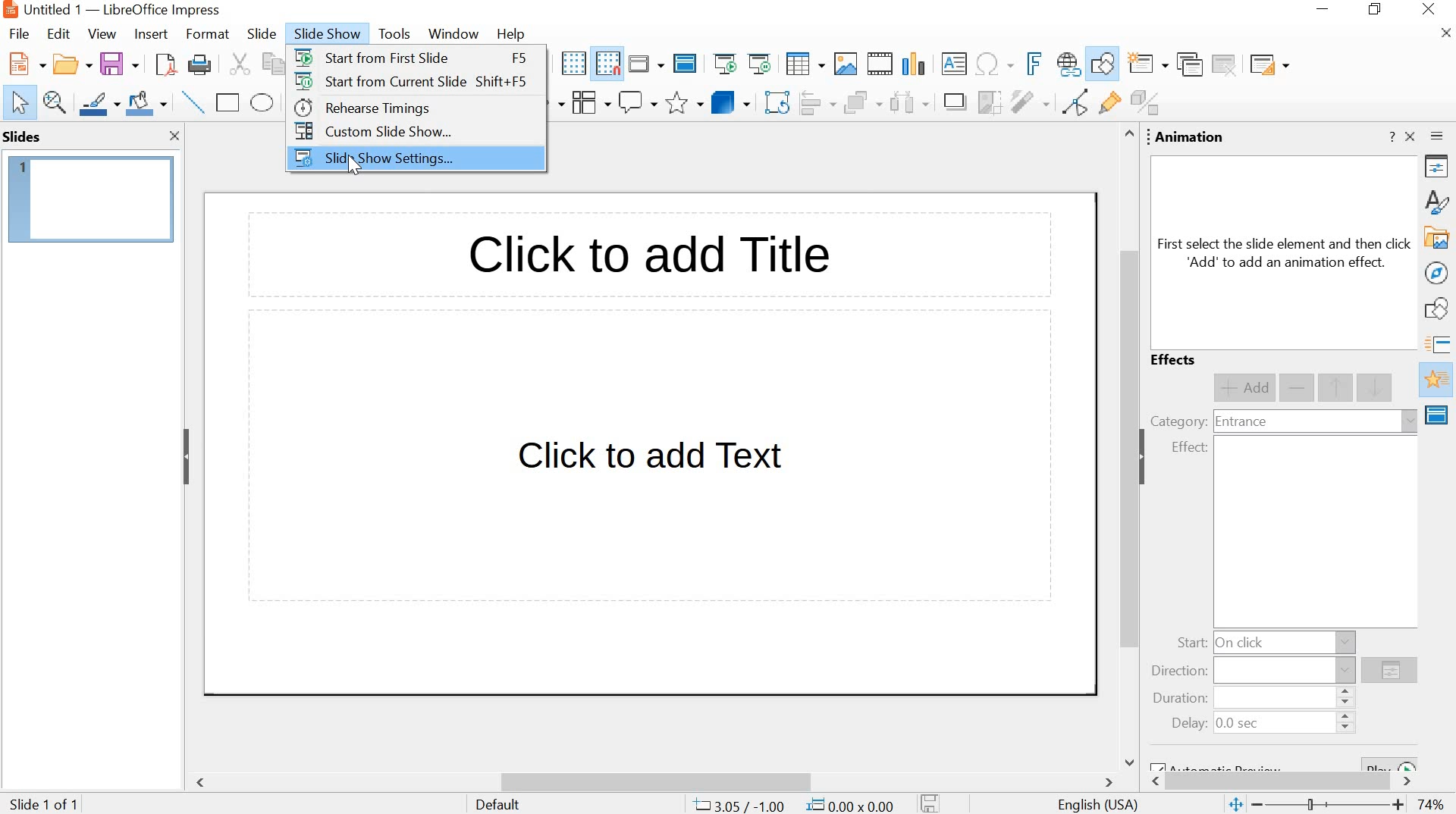 The width and height of the screenshot is (1456, 814). I want to click on animation, so click(1191, 138).